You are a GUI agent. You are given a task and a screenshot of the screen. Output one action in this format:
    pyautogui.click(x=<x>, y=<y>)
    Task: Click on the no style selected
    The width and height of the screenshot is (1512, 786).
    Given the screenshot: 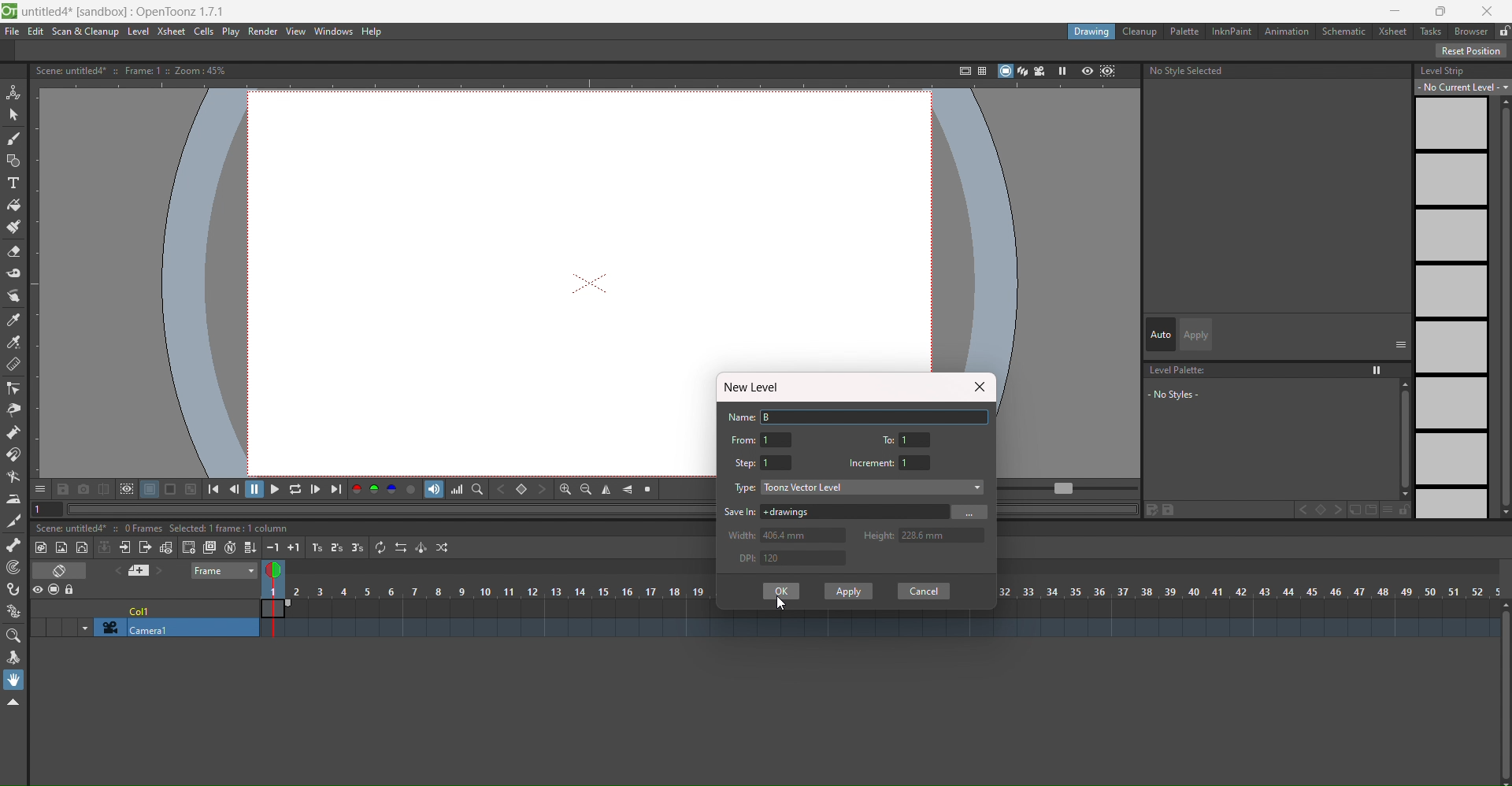 What is the action you would take?
    pyautogui.click(x=1279, y=73)
    